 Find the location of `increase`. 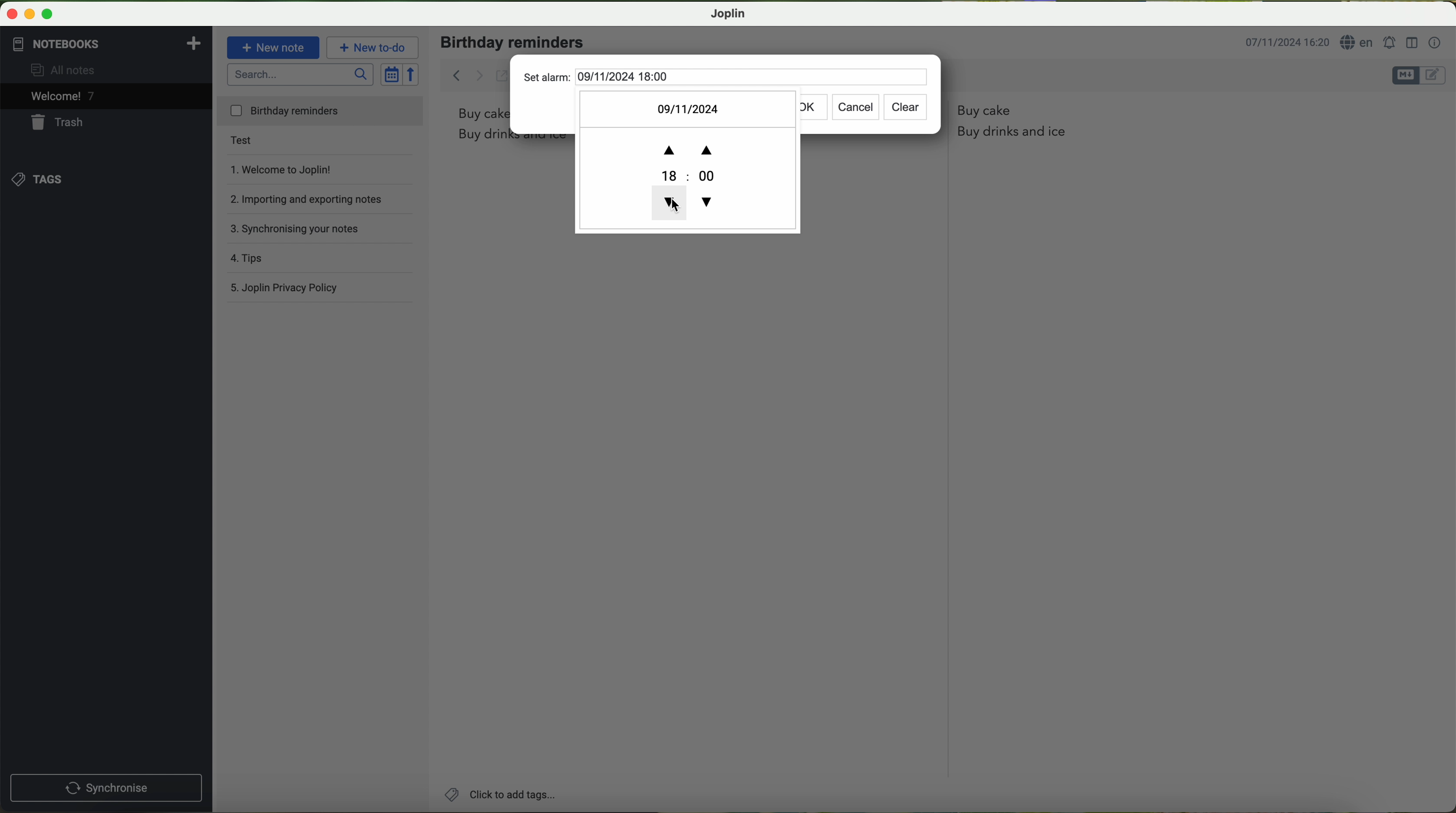

increase is located at coordinates (697, 149).